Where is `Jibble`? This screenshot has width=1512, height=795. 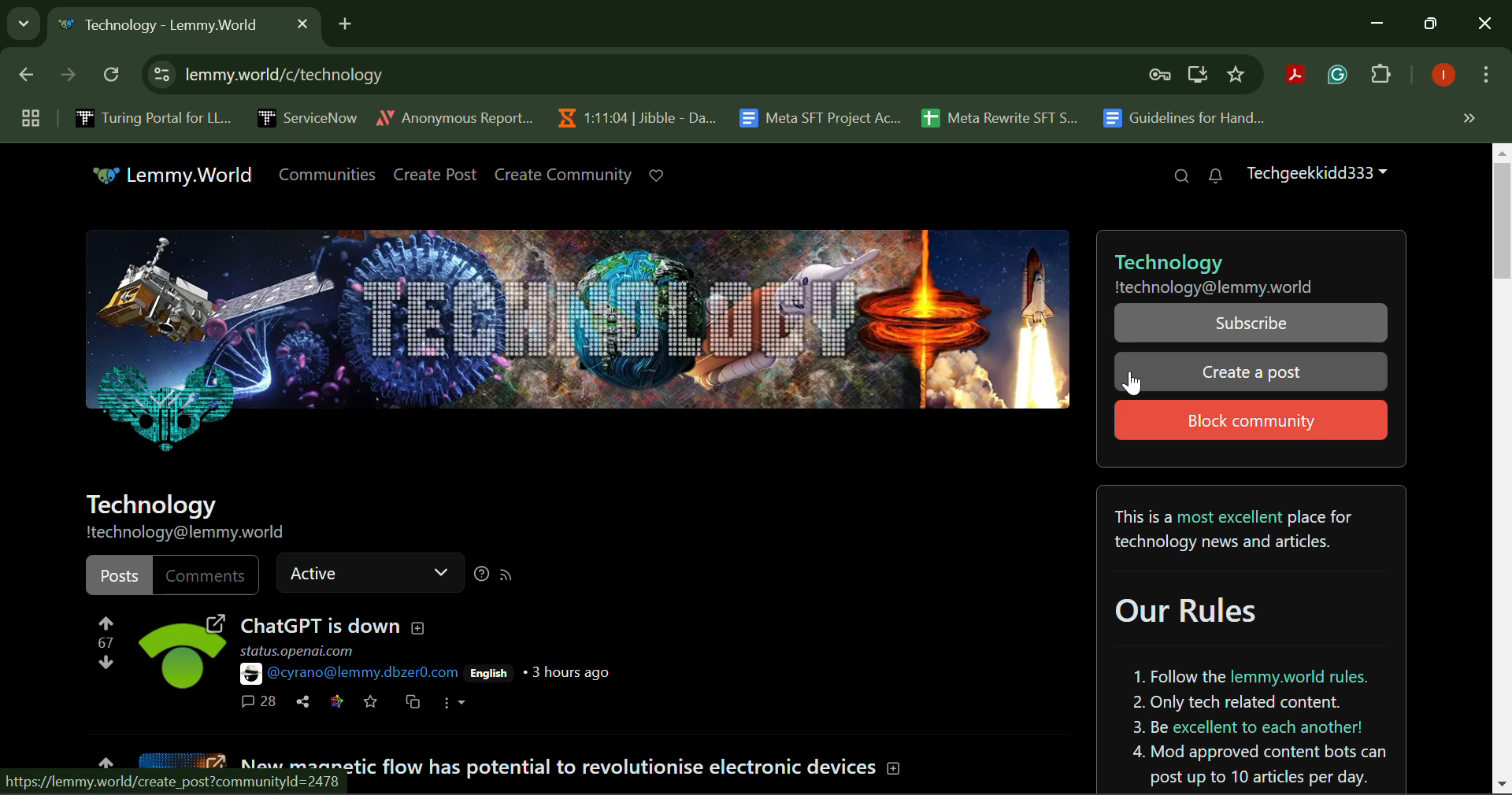
Jibble is located at coordinates (633, 114).